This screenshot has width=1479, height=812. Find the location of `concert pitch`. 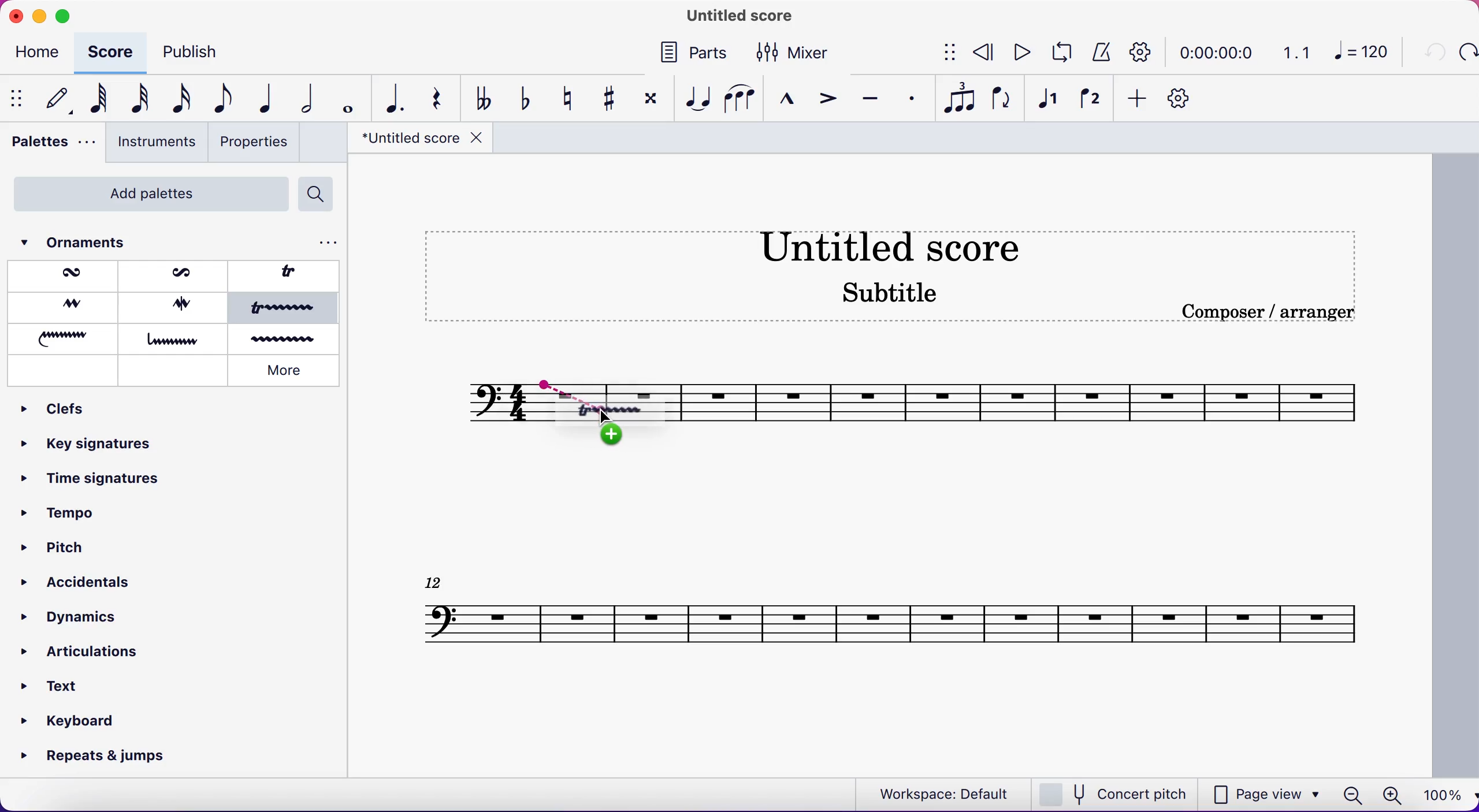

concert pitch is located at coordinates (1116, 793).